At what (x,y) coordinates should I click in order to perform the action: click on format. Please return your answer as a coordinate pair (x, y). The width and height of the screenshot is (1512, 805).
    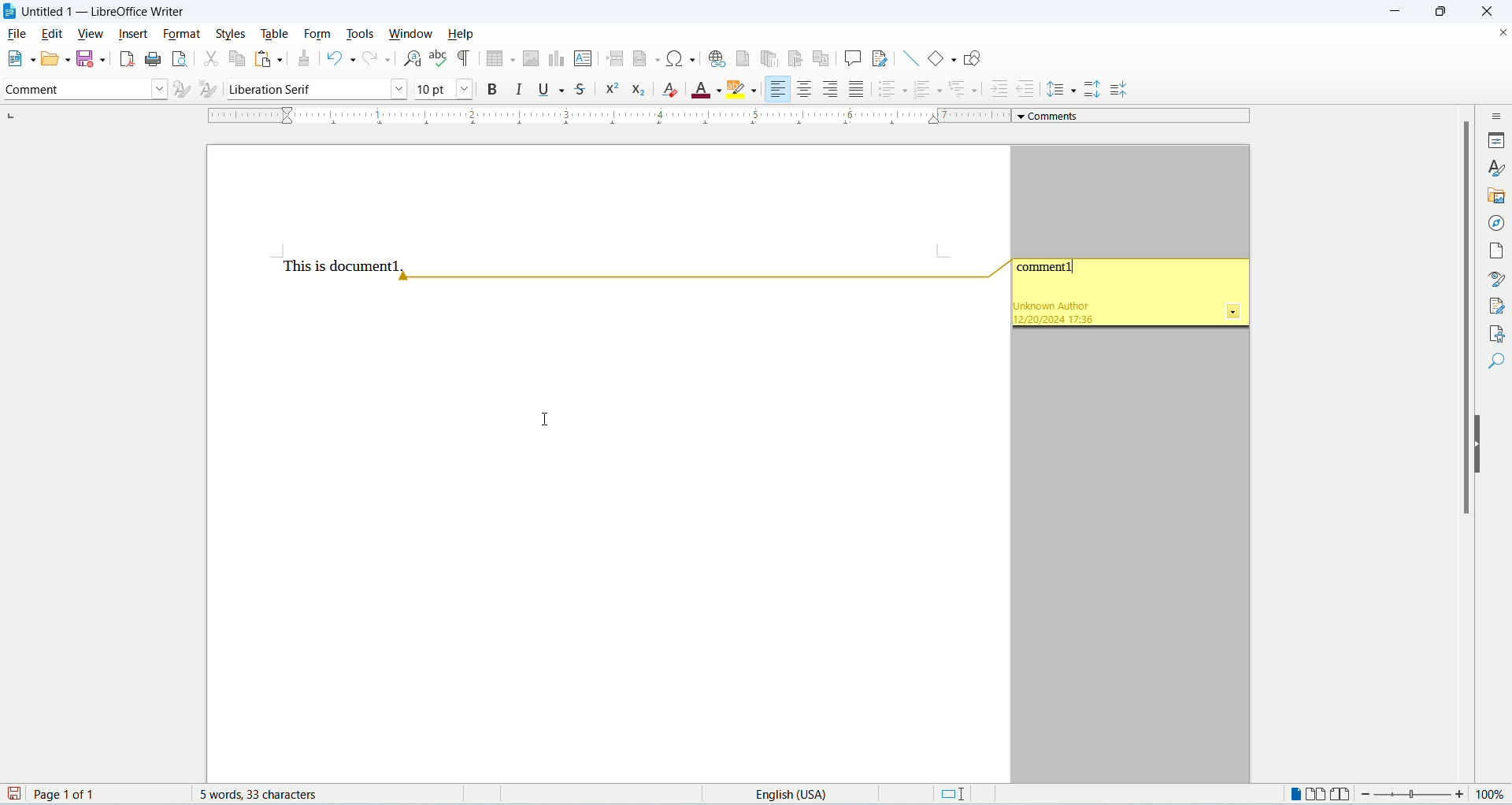
    Looking at the image, I should click on (180, 33).